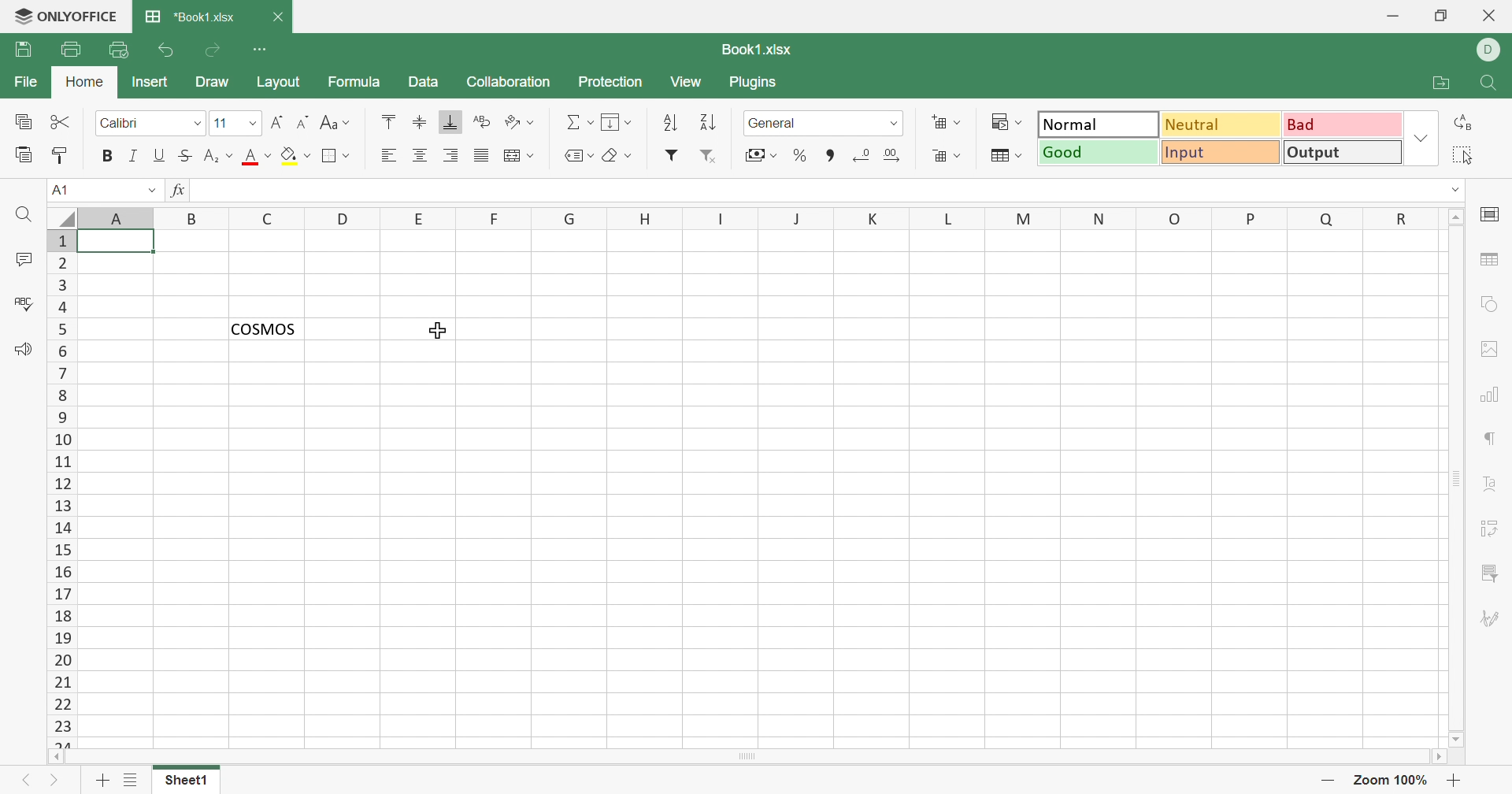  I want to click on Scroll bar, so click(746, 757).